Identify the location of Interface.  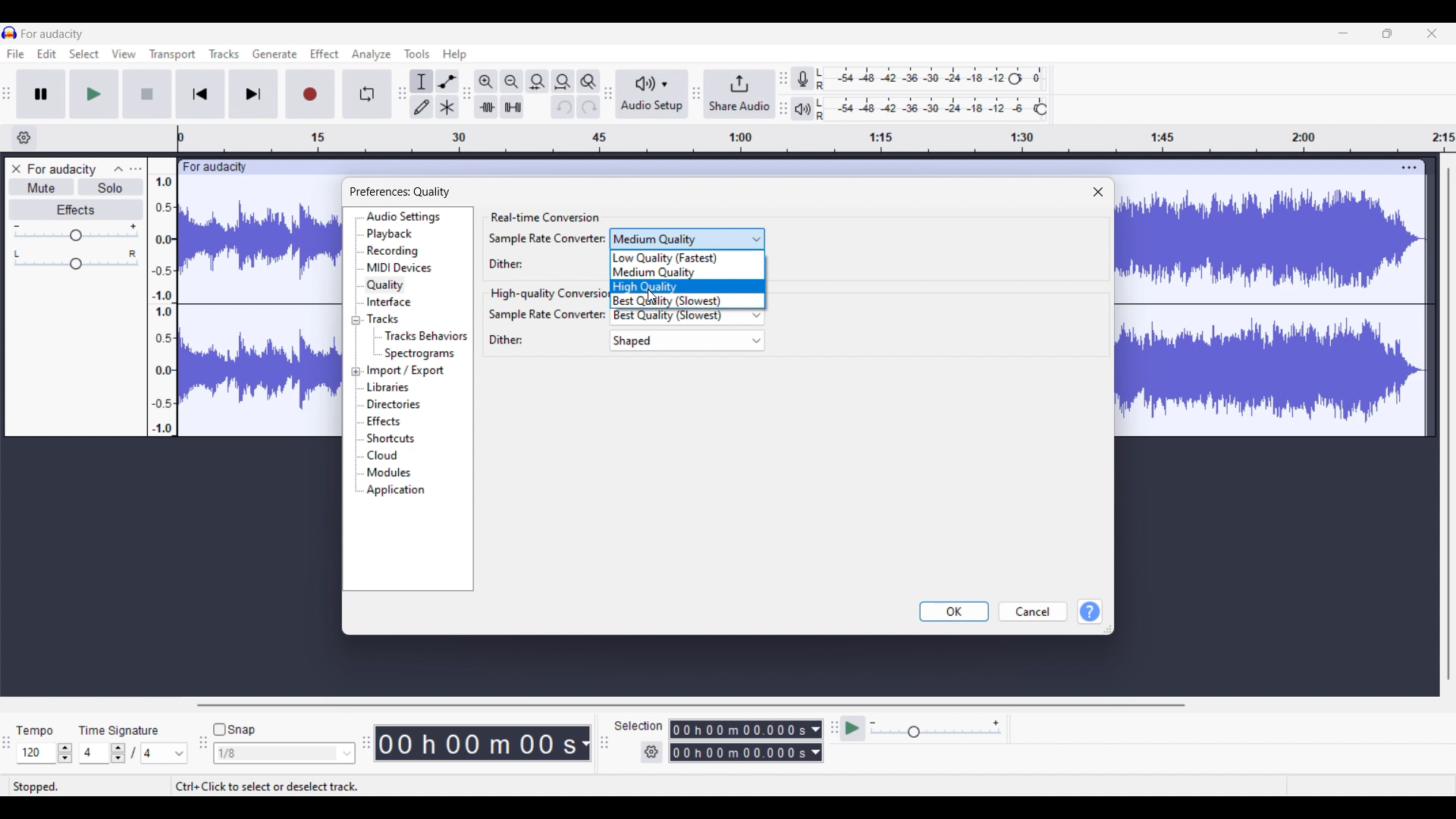
(389, 302).